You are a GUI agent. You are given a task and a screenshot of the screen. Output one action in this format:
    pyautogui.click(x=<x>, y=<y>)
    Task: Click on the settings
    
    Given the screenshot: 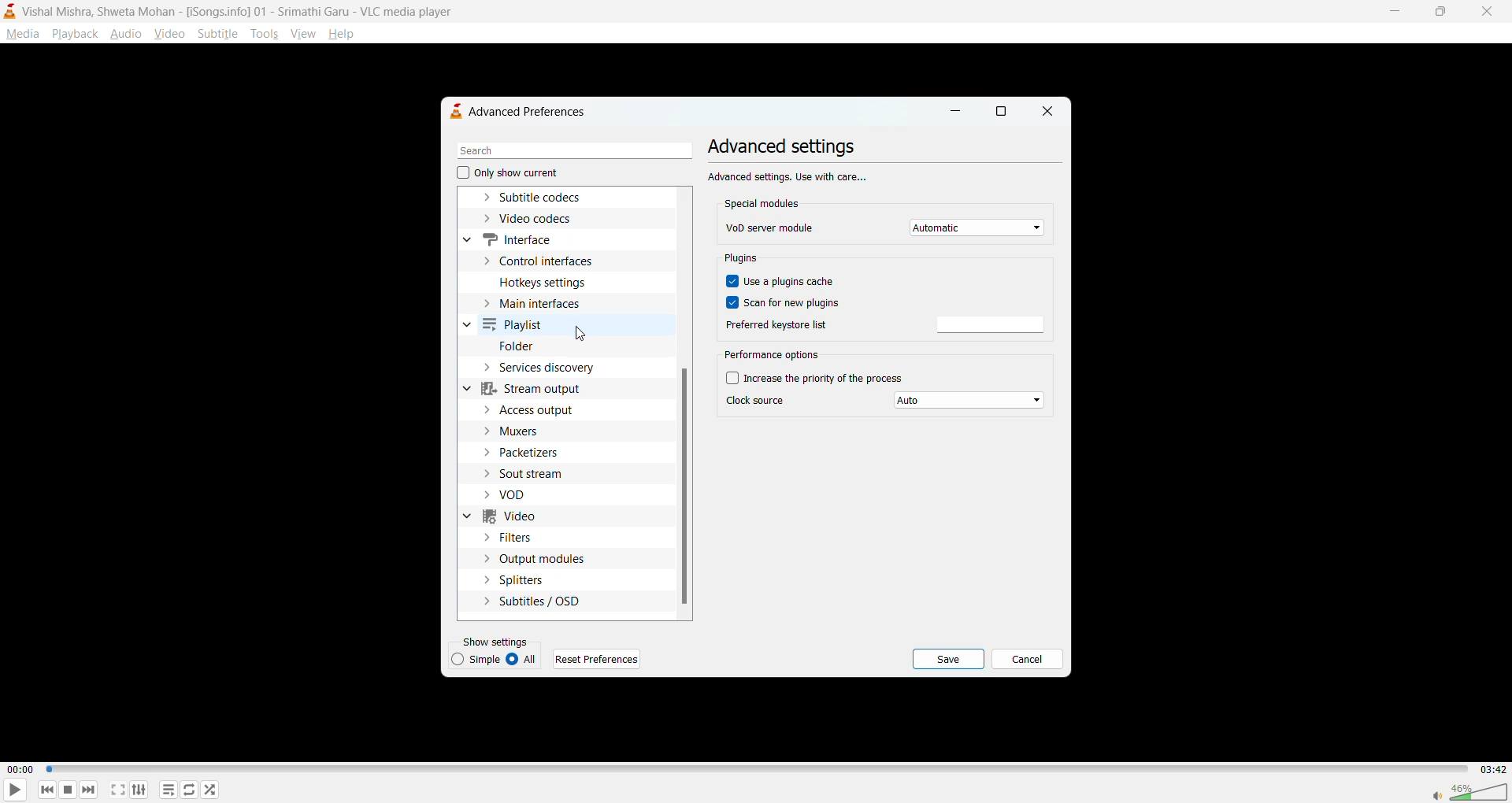 What is the action you would take?
    pyautogui.click(x=139, y=789)
    